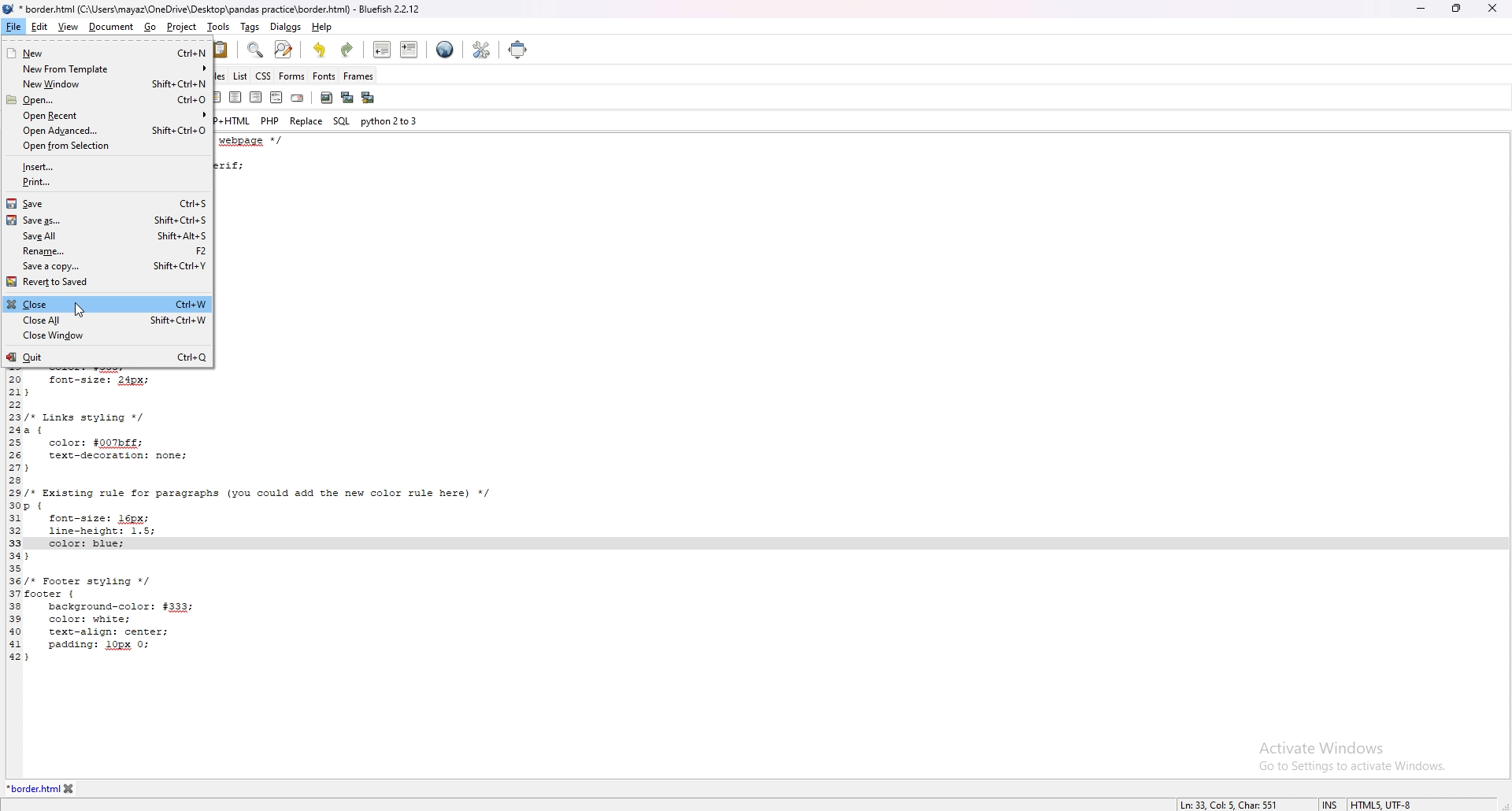  I want to click on python 2to3, so click(389, 120).